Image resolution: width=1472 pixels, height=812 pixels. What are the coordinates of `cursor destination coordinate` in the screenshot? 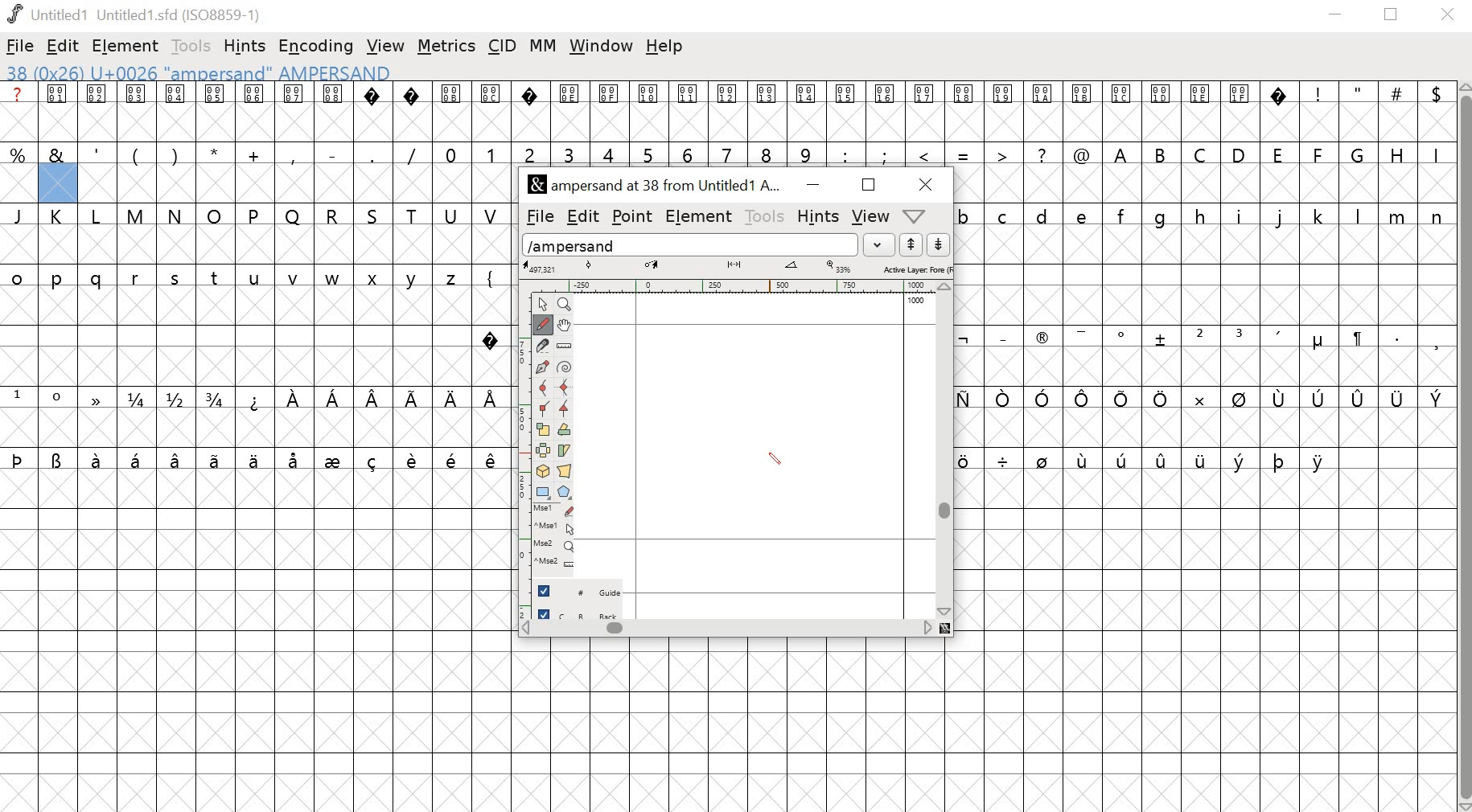 It's located at (654, 265).